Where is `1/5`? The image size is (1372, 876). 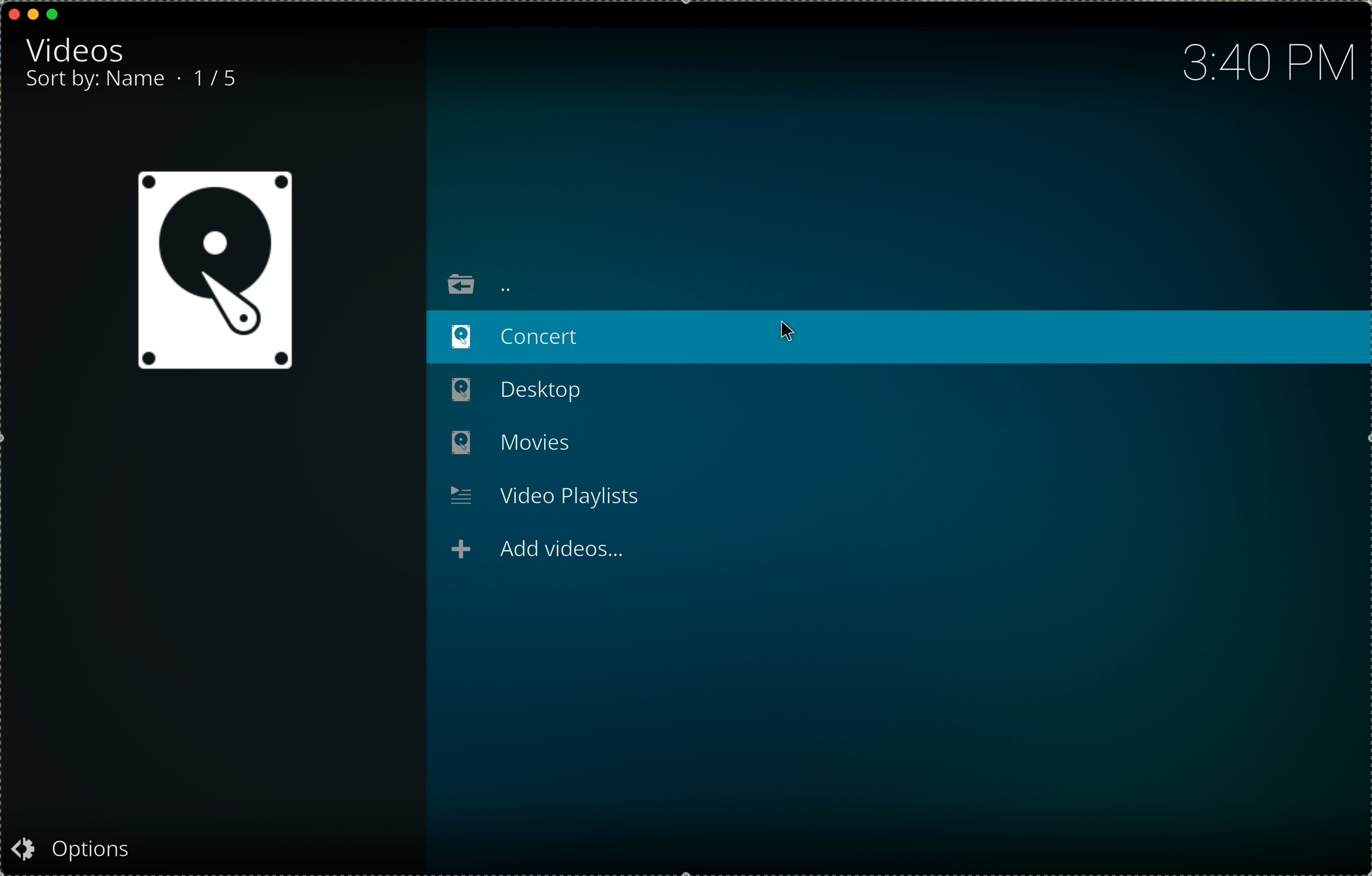
1/5 is located at coordinates (222, 79).